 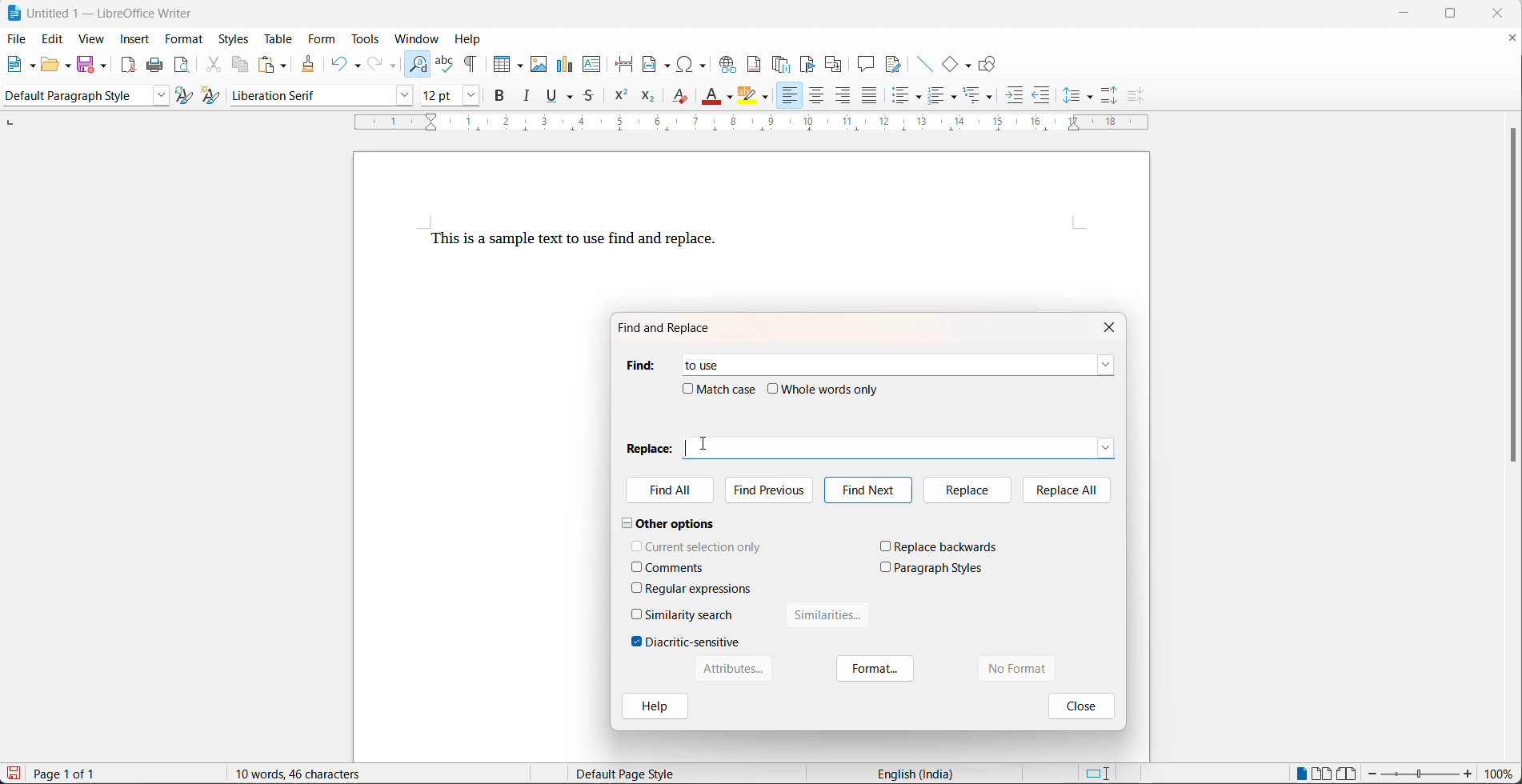 I want to click on Default page style, so click(x=636, y=774).